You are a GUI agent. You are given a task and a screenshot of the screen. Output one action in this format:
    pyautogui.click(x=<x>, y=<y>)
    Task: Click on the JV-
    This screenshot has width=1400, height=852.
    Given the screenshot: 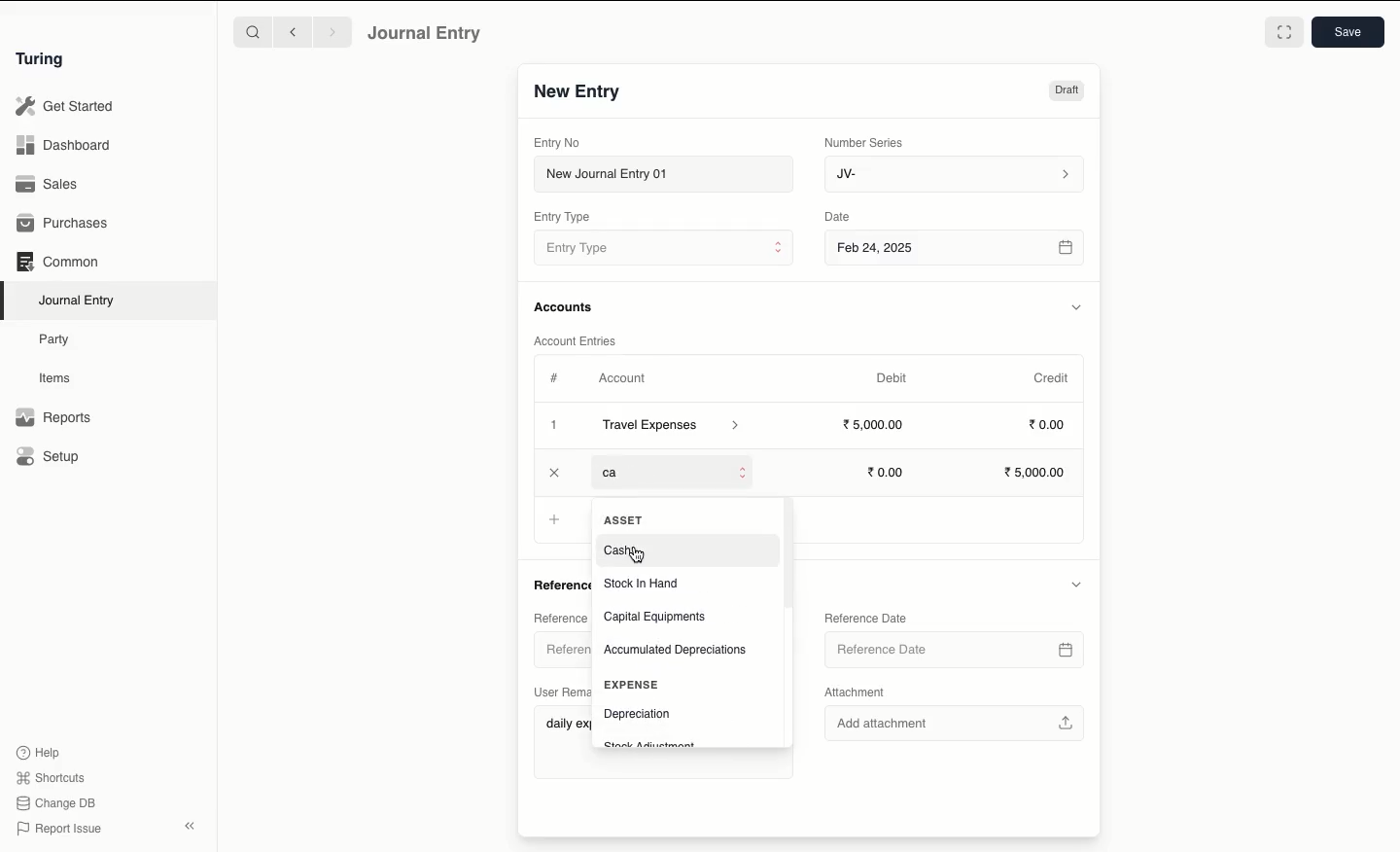 What is the action you would take?
    pyautogui.click(x=956, y=175)
    